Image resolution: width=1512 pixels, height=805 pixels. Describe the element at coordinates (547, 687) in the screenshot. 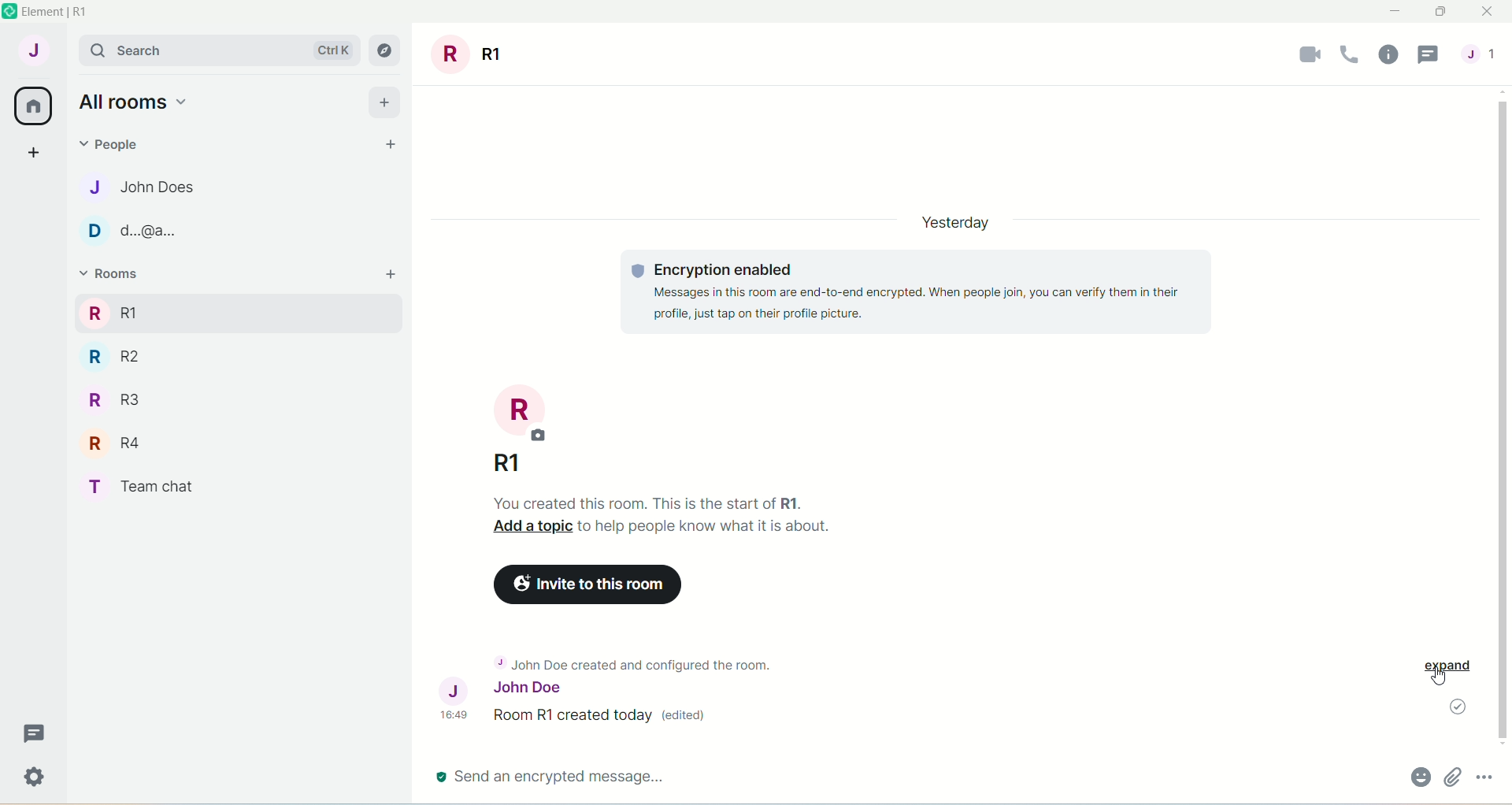

I see `John Doe` at that location.